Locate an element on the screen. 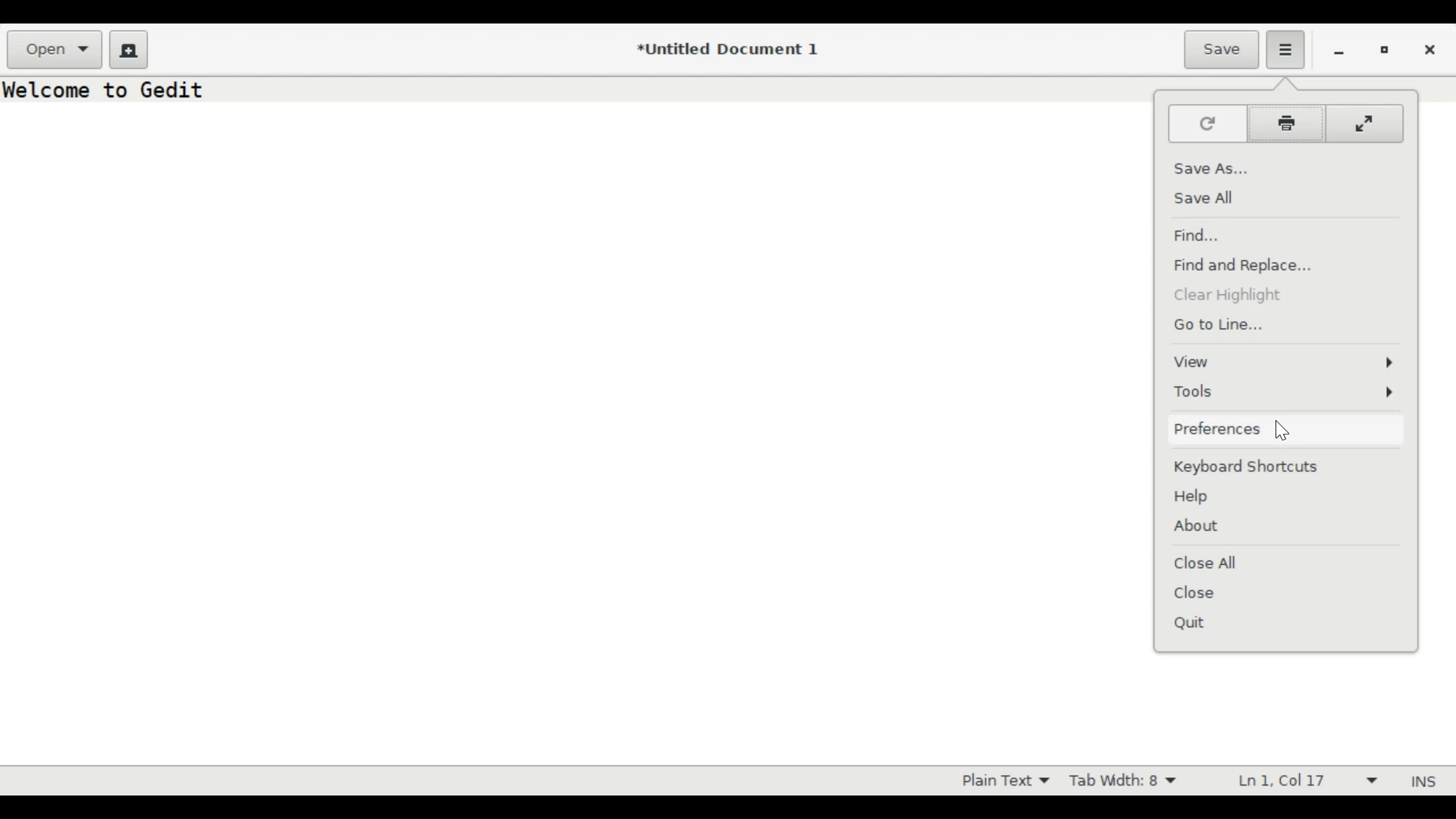 This screenshot has width=1456, height=819. About is located at coordinates (1200, 526).